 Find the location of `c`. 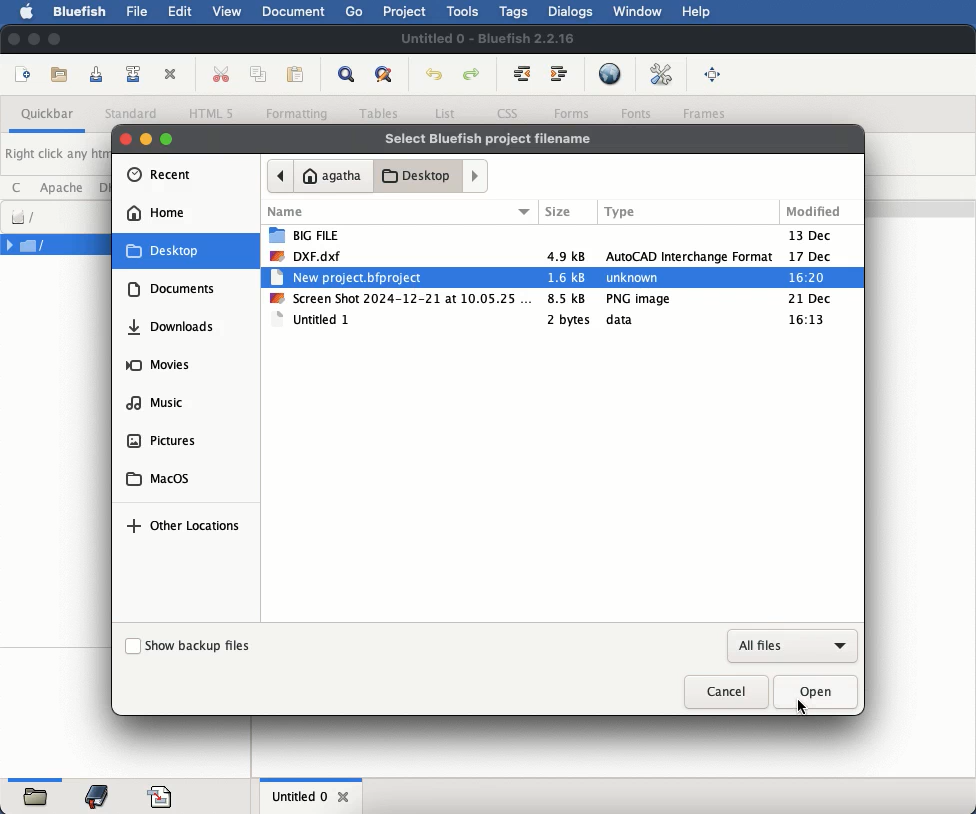

c is located at coordinates (20, 188).